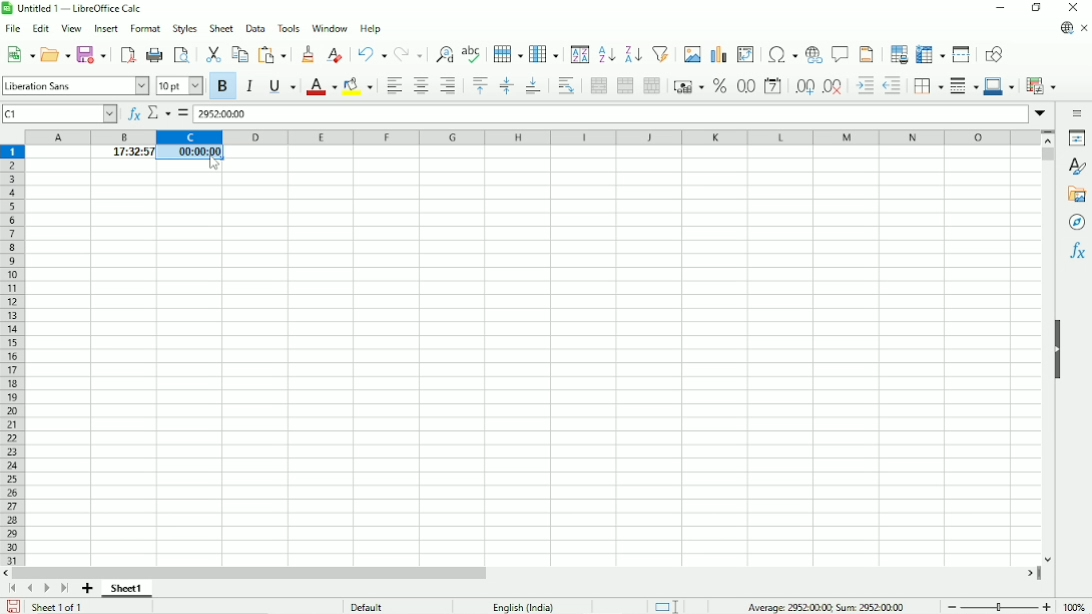 The height and width of the screenshot is (614, 1092). I want to click on Copy, so click(240, 54).